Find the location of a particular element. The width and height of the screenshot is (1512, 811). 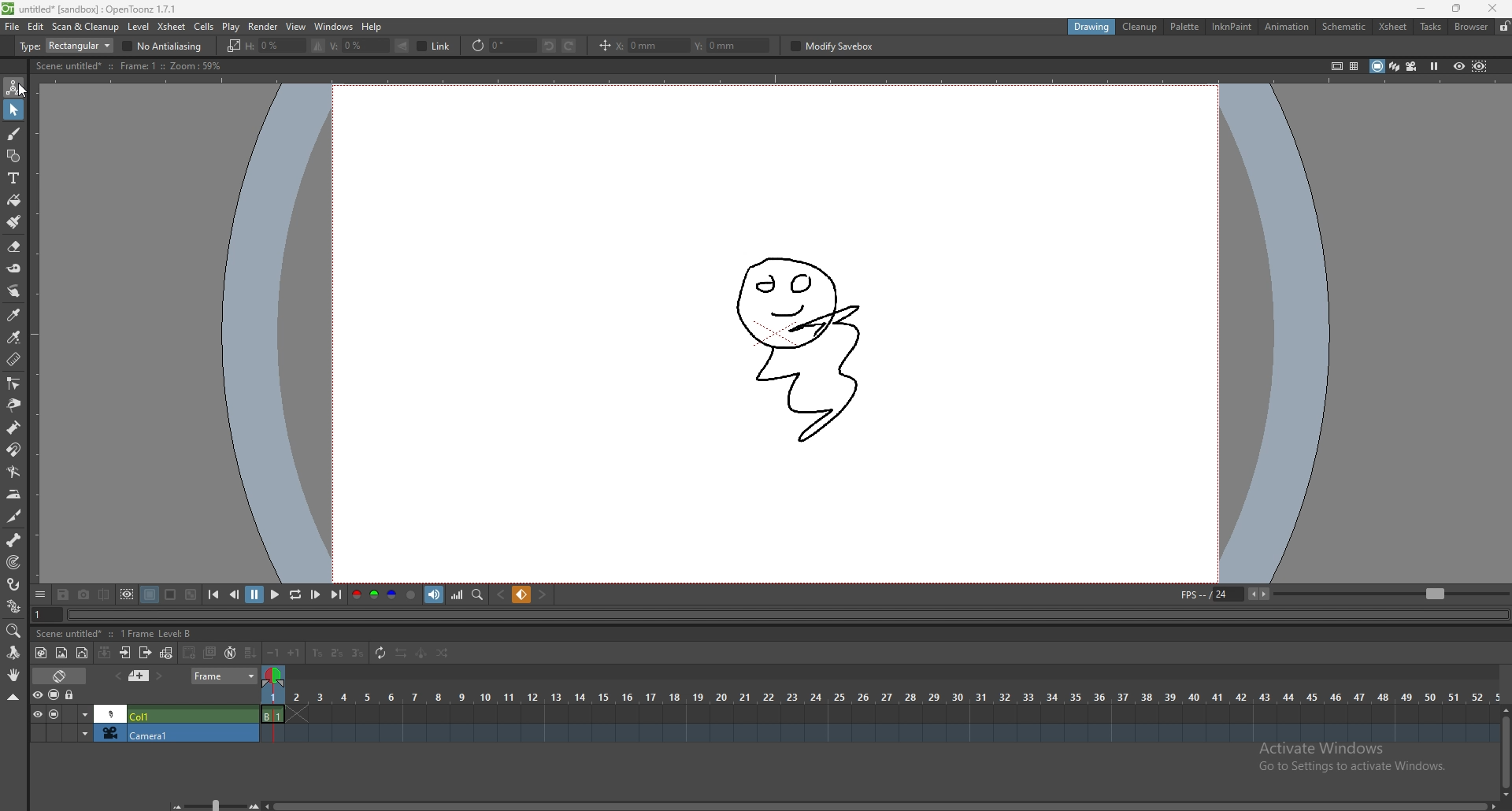

rotate is located at coordinates (13, 653).